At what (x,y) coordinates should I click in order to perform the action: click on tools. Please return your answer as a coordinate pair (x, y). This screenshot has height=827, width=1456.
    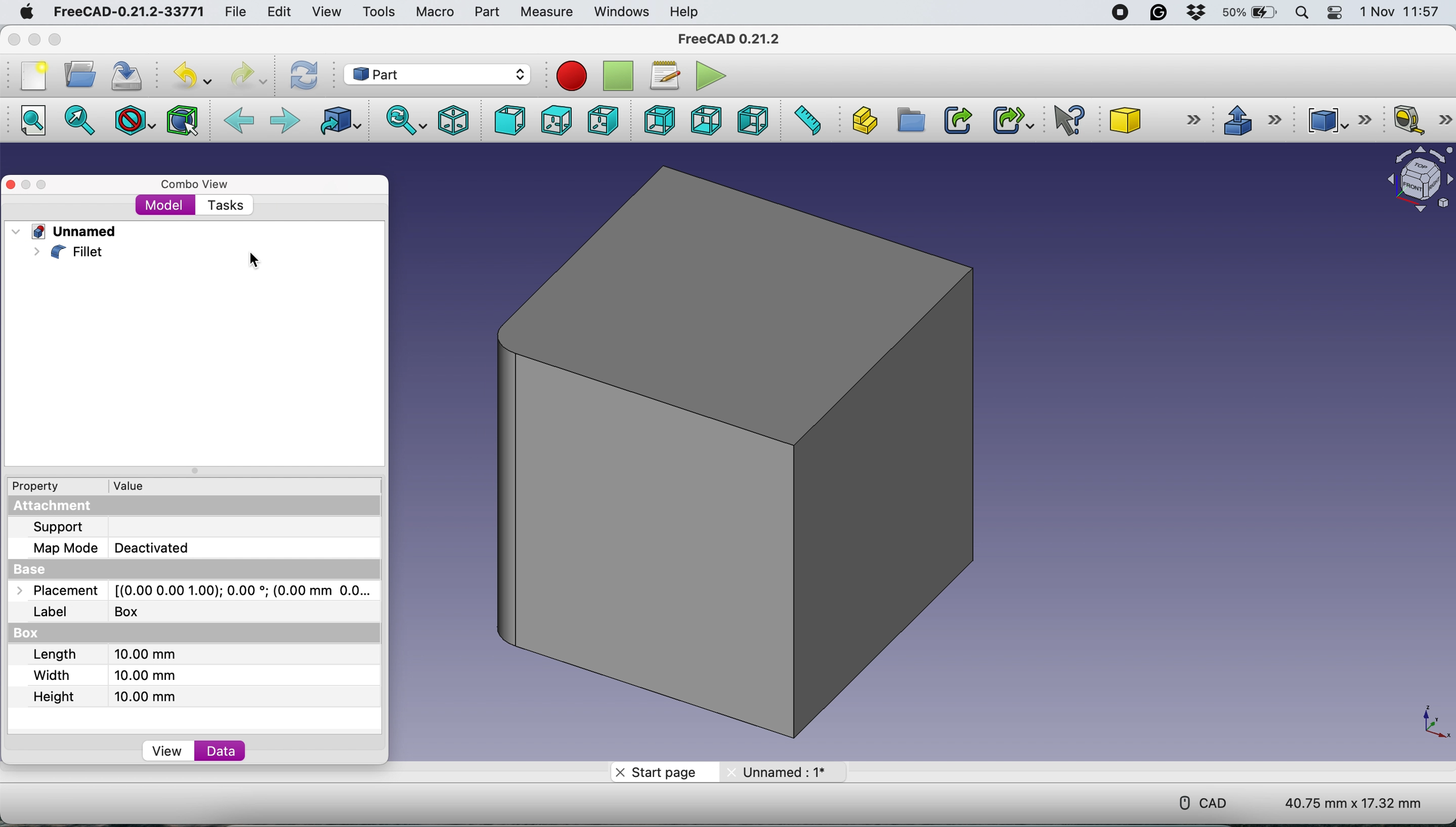
    Looking at the image, I should click on (375, 12).